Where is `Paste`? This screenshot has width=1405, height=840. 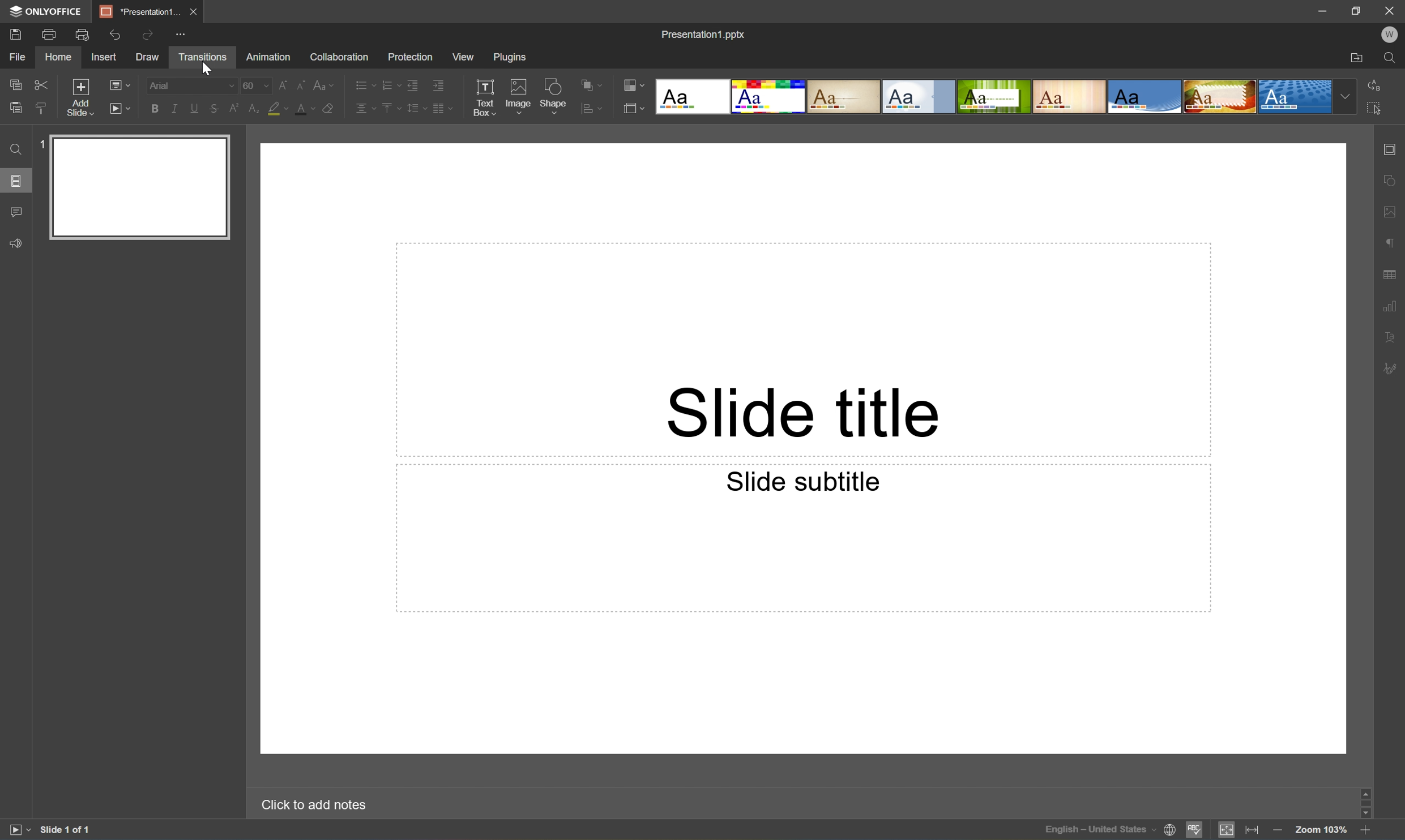 Paste is located at coordinates (17, 108).